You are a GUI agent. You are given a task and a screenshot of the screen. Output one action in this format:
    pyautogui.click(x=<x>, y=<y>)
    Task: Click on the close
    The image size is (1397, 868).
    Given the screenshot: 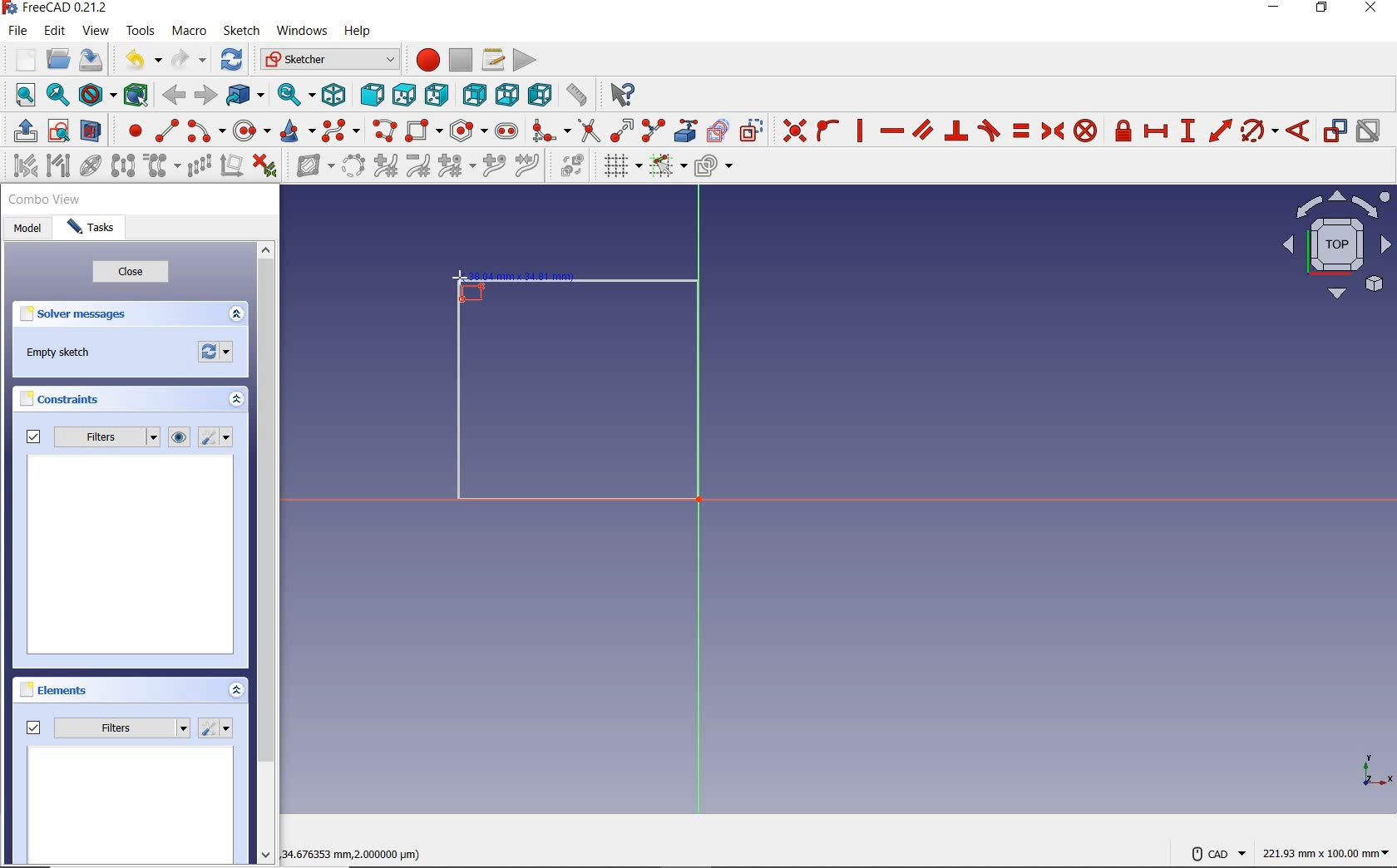 What is the action you would take?
    pyautogui.click(x=131, y=274)
    